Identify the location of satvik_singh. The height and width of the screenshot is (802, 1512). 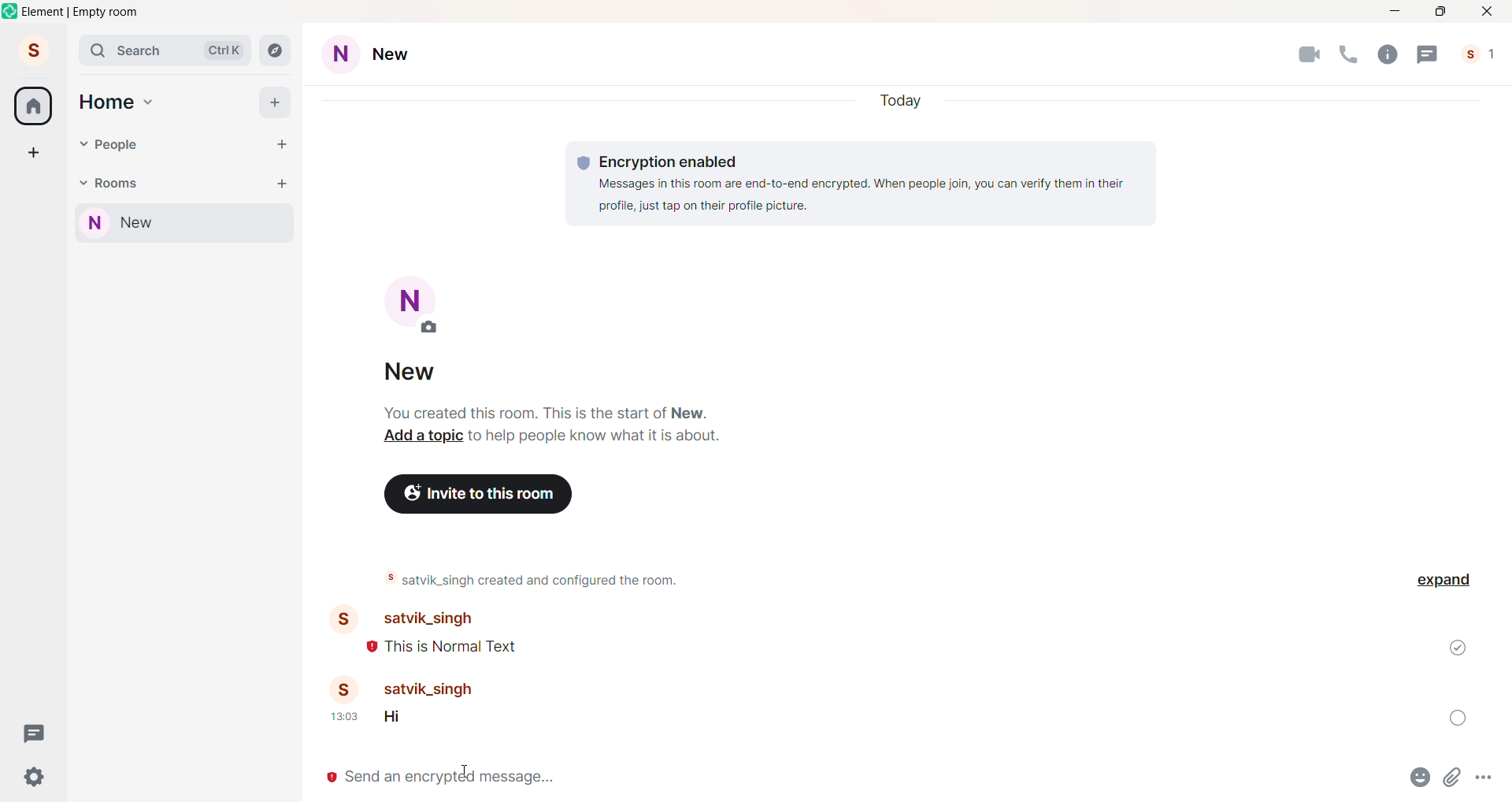
(450, 689).